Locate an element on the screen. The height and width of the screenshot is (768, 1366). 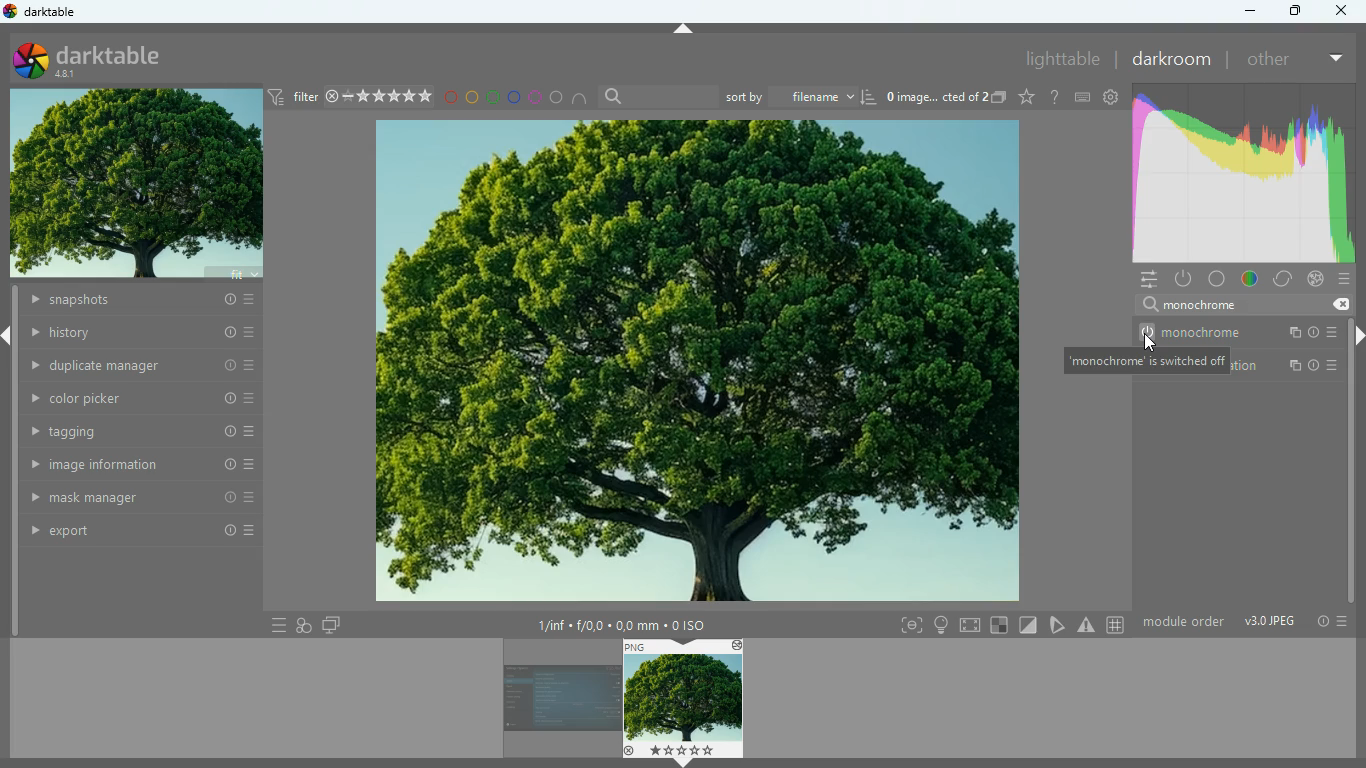
warning is located at coordinates (1086, 624).